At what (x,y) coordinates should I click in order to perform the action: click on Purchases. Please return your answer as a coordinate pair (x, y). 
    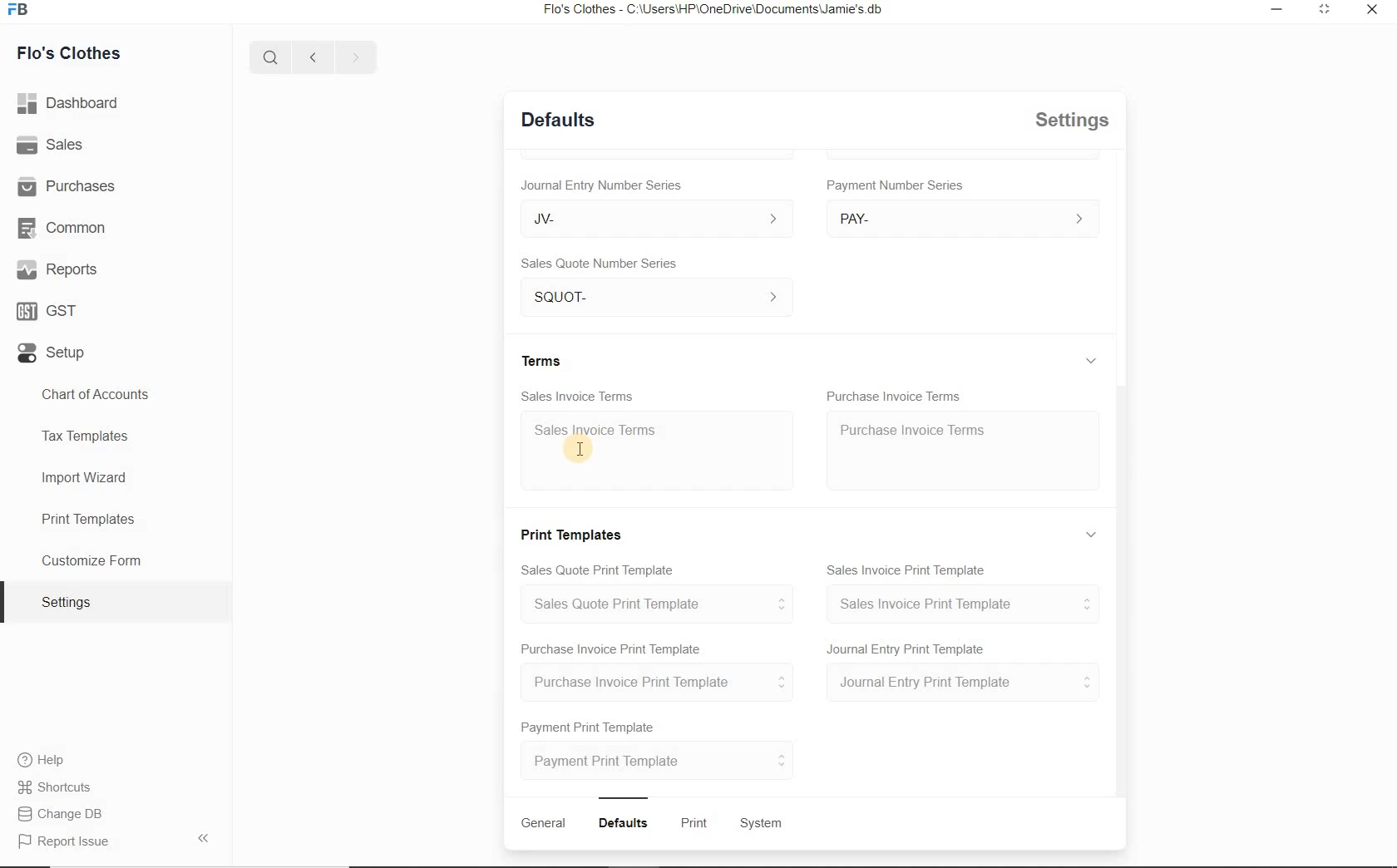
    Looking at the image, I should click on (70, 186).